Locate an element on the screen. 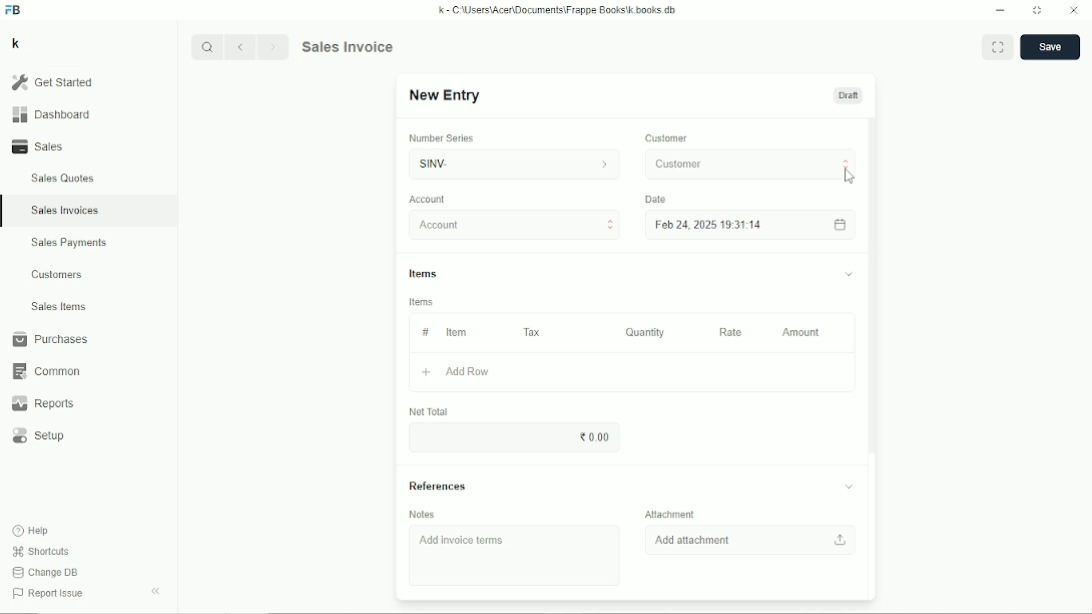  Number series is located at coordinates (442, 138).